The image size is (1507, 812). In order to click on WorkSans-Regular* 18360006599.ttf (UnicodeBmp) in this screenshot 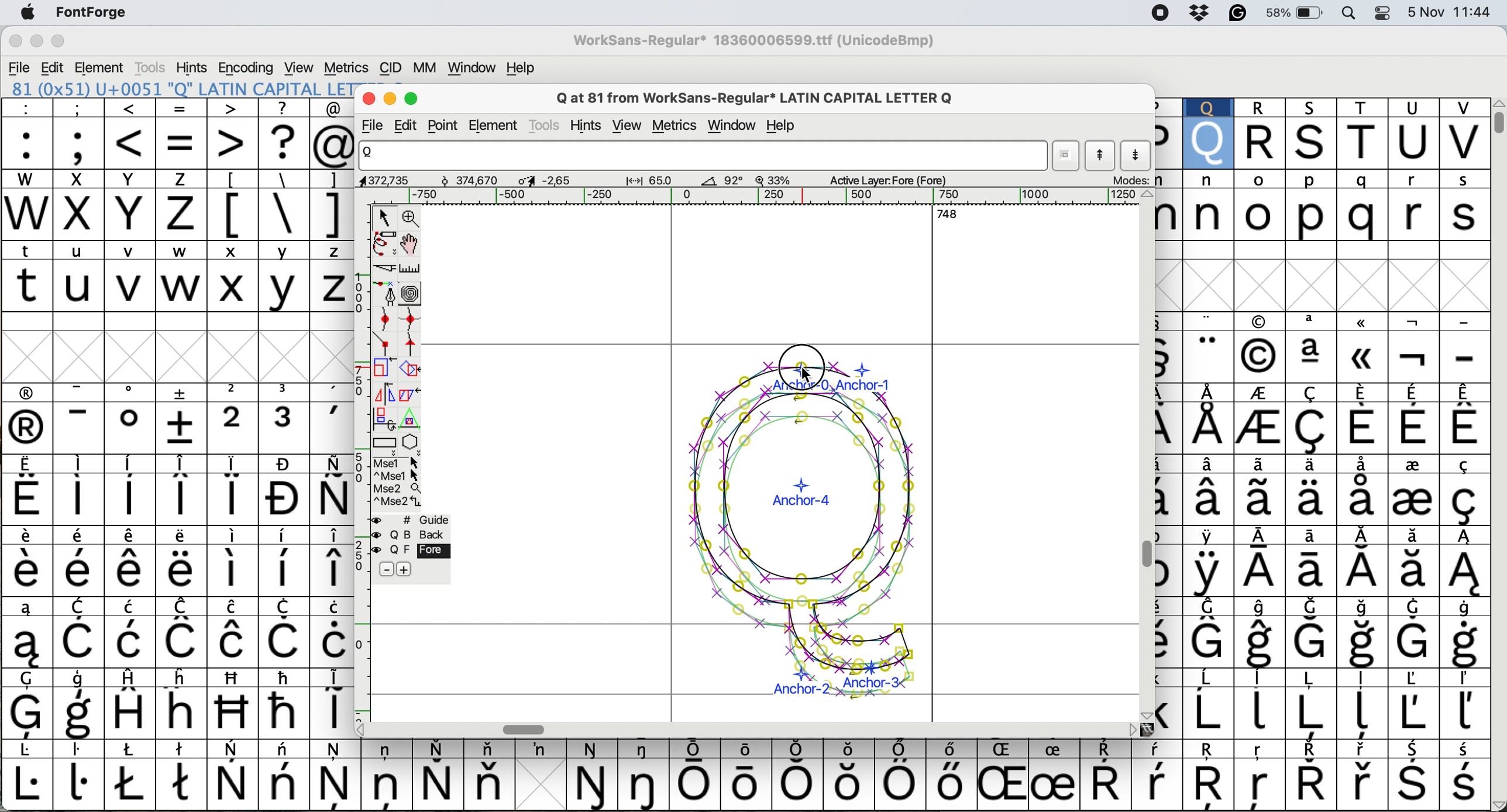, I will do `click(759, 36)`.